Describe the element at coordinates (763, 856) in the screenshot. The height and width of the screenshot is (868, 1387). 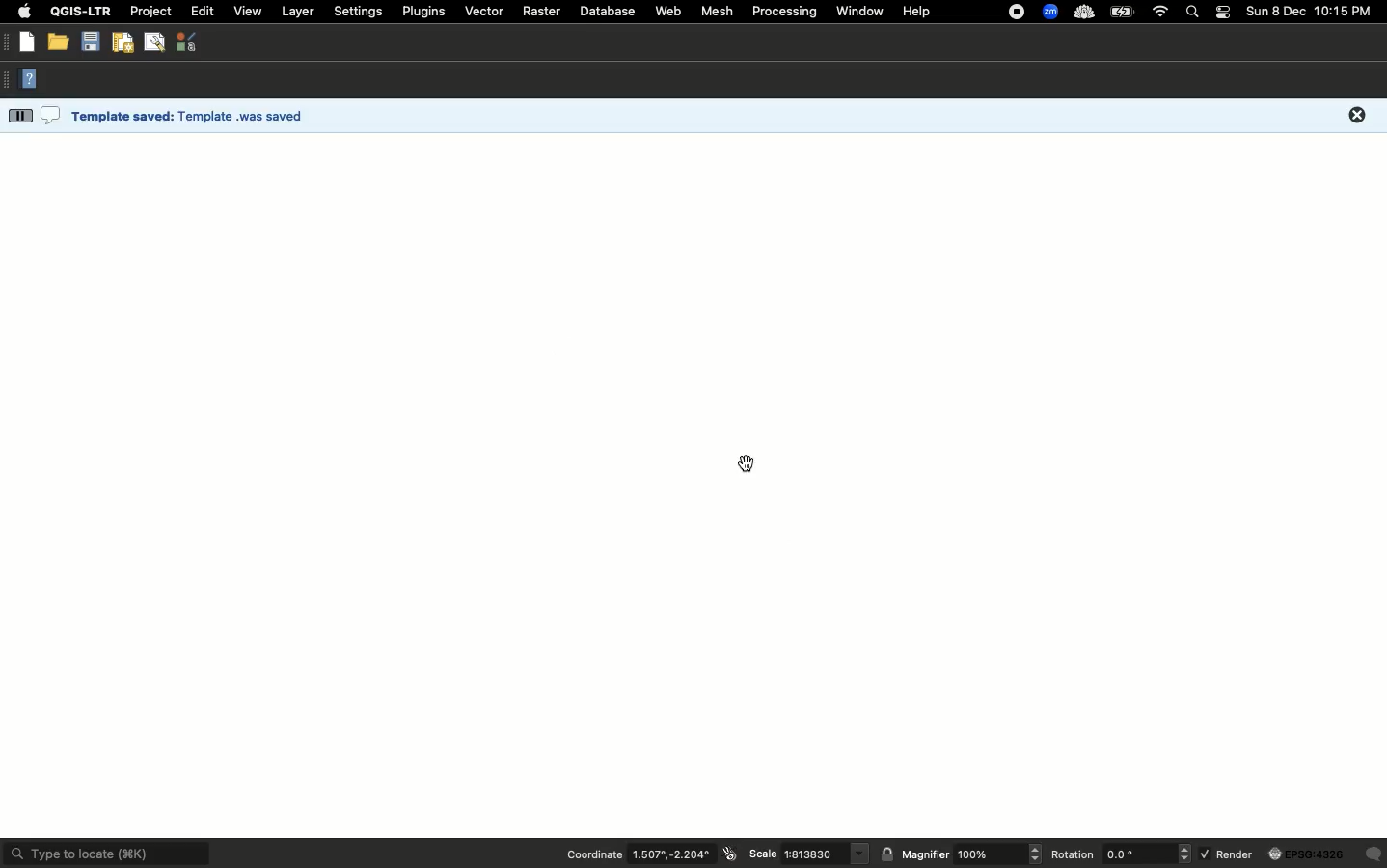
I see `Scale` at that location.